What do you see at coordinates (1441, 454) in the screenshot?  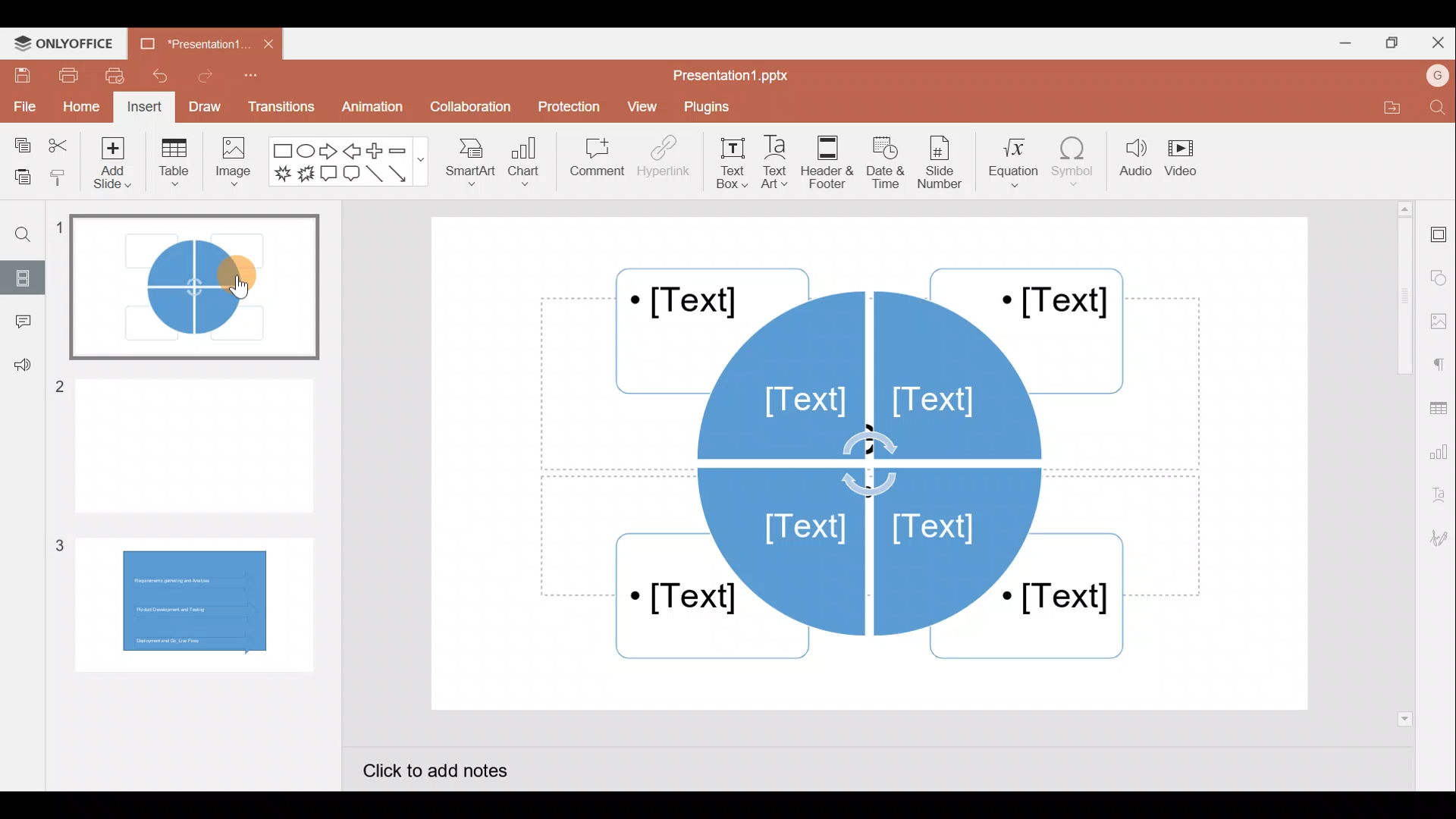 I see `Chart settings` at bounding box center [1441, 454].